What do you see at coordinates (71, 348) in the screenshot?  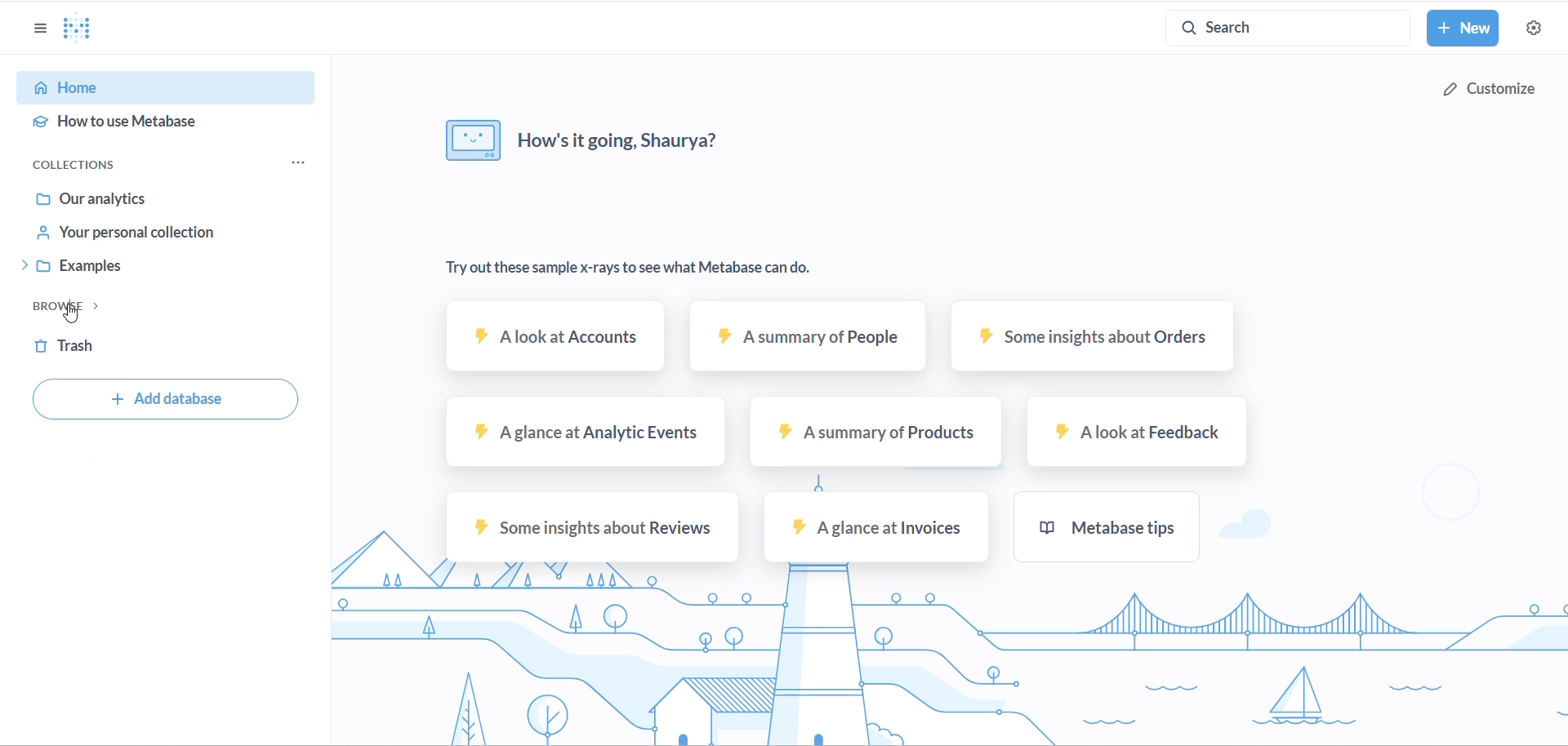 I see `TRASH` at bounding box center [71, 348].